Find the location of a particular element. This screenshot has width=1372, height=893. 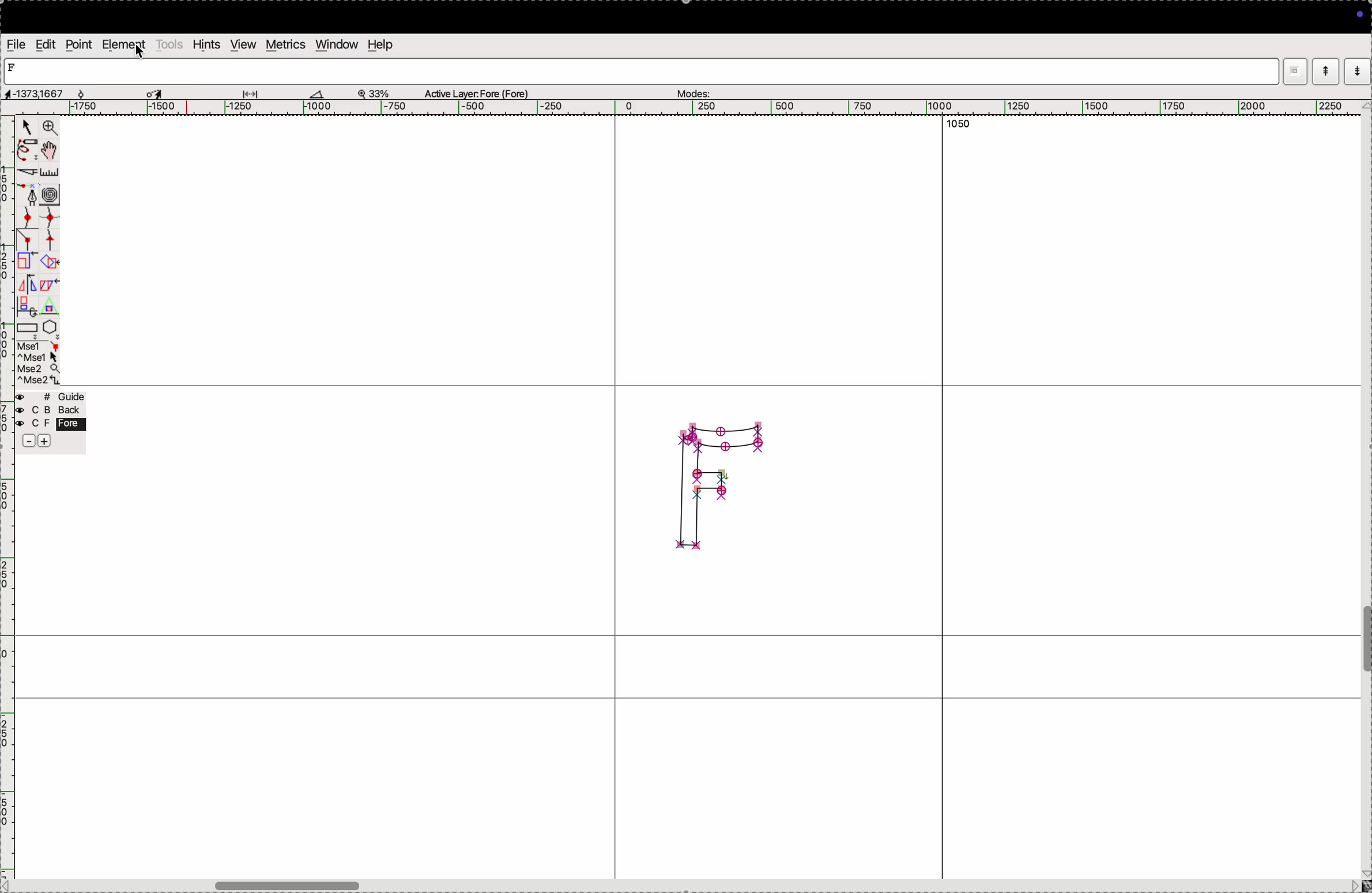

horizontal scale is located at coordinates (679, 108).